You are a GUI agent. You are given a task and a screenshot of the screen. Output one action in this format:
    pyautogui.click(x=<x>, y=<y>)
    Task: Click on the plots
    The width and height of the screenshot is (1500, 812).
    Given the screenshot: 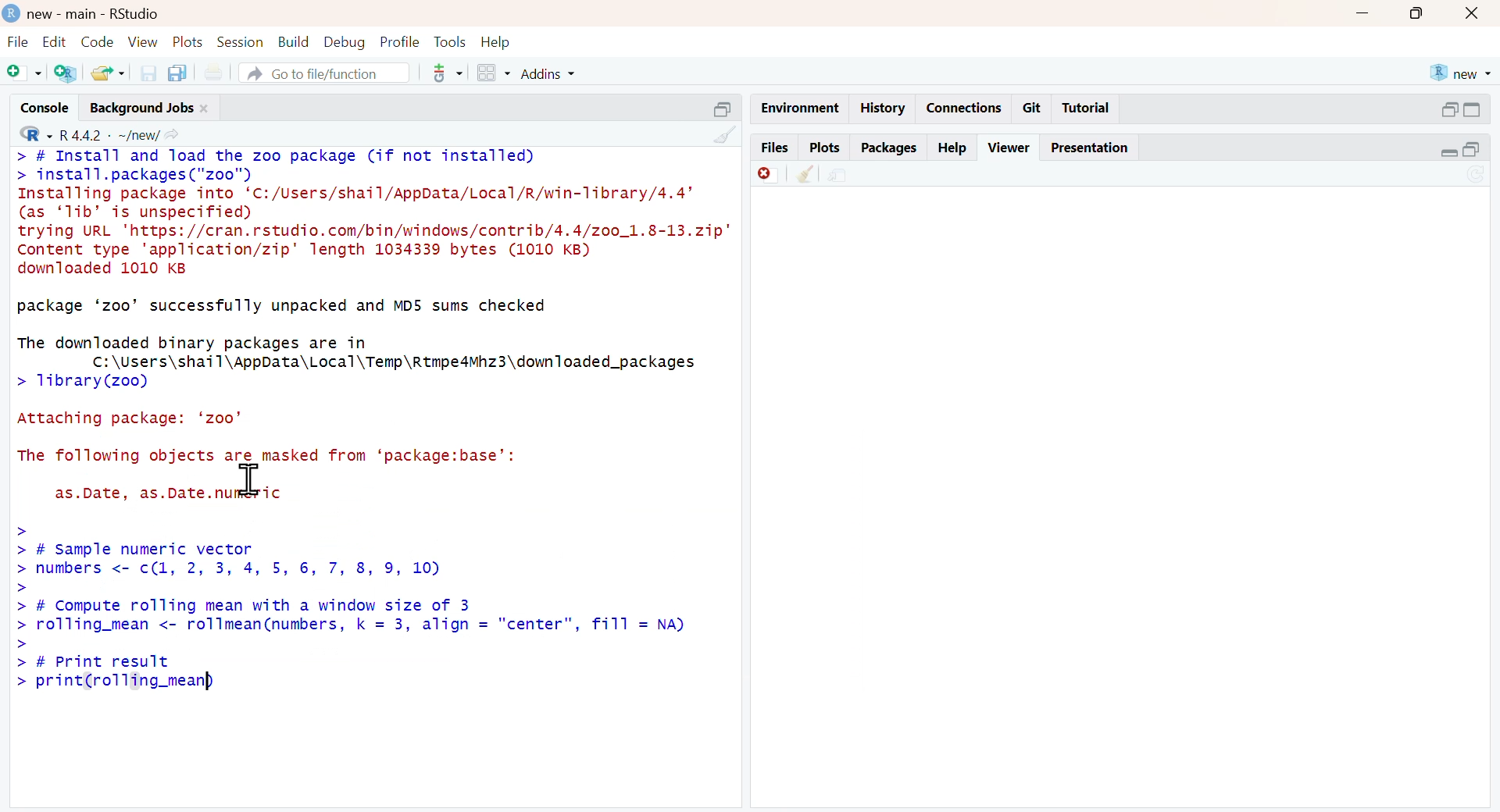 What is the action you would take?
    pyautogui.click(x=189, y=41)
    